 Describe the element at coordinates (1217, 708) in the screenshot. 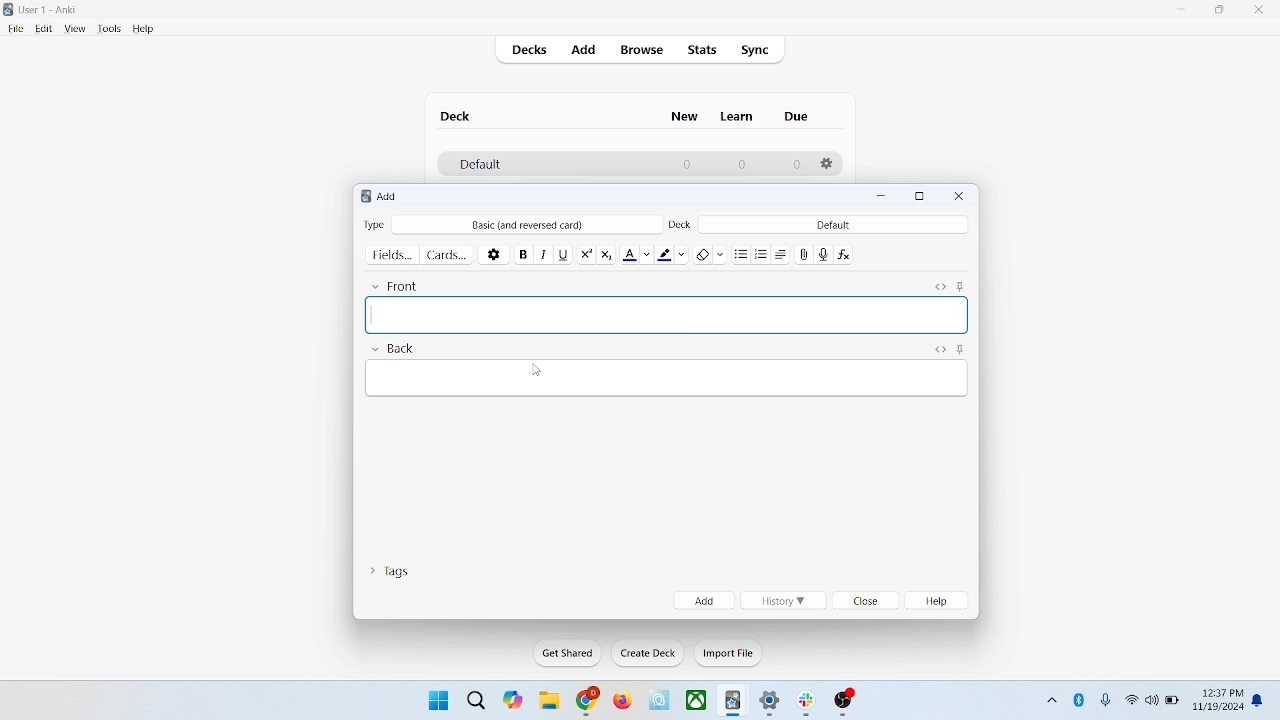

I see `11/19/2024` at that location.